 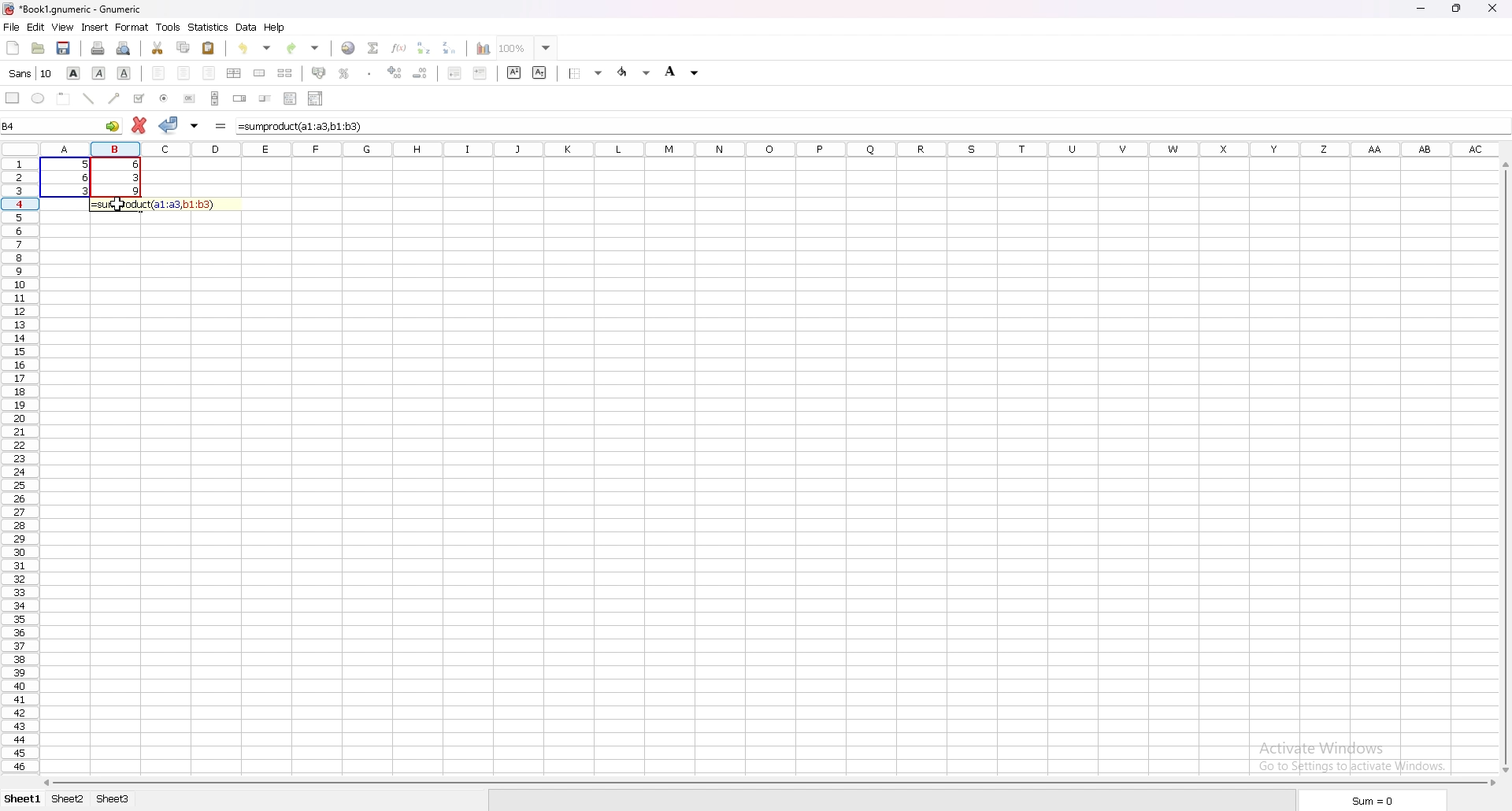 What do you see at coordinates (1509, 465) in the screenshot?
I see `scroll bar` at bounding box center [1509, 465].